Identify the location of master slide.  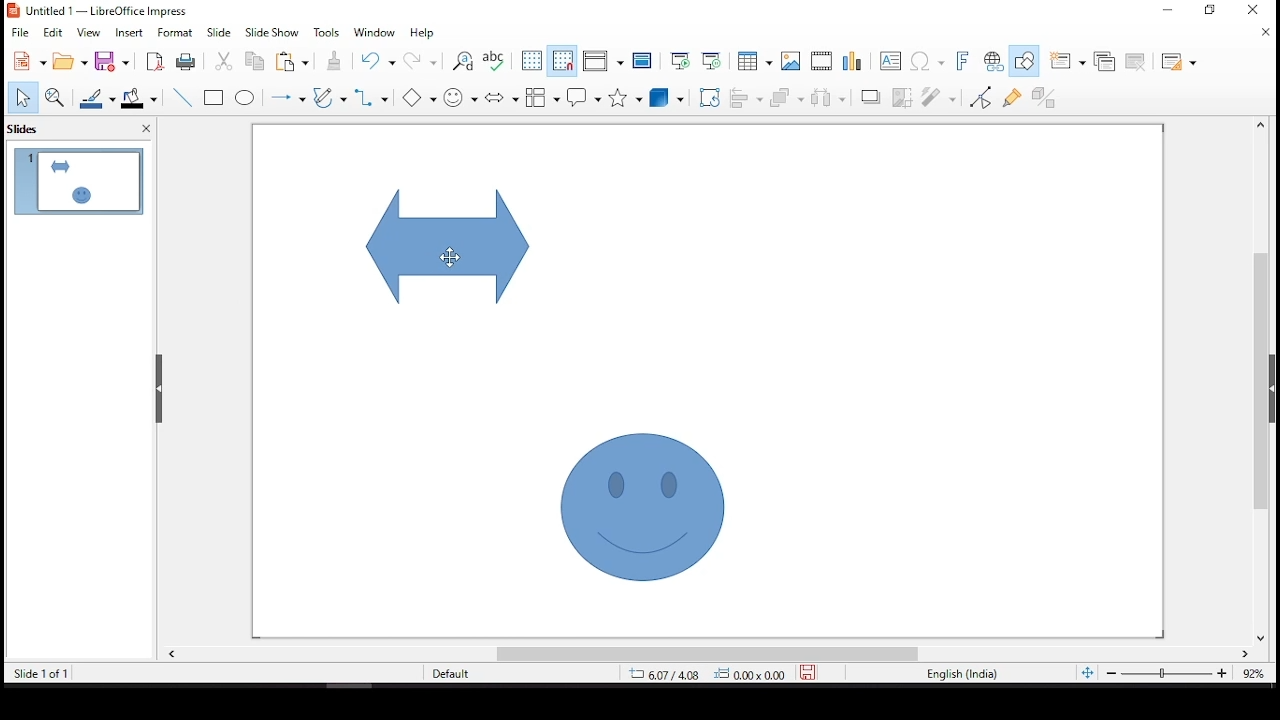
(644, 63).